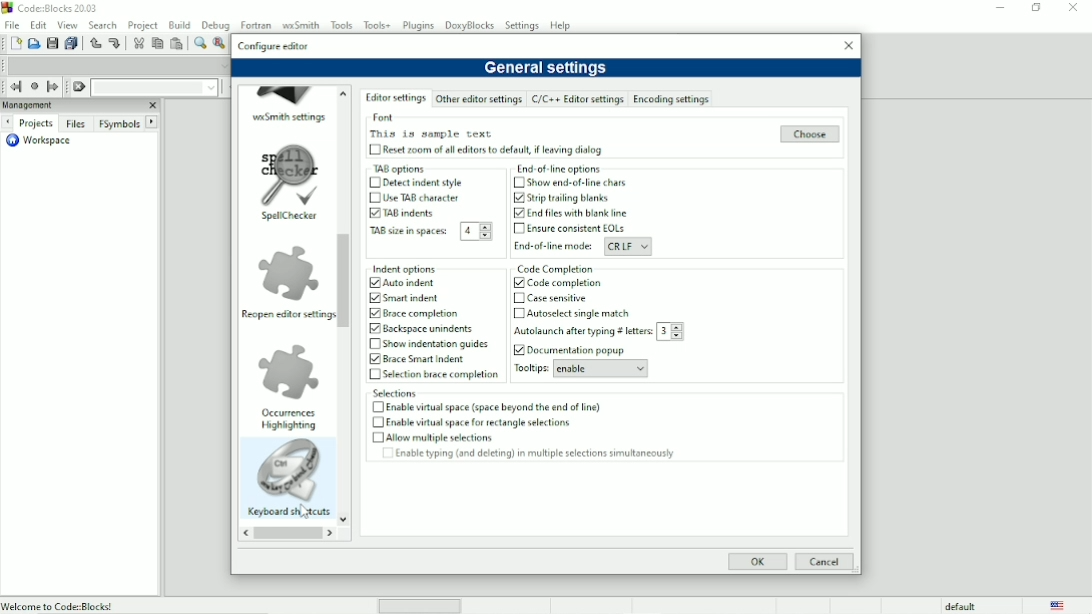  Describe the element at coordinates (104, 24) in the screenshot. I see `Search` at that location.